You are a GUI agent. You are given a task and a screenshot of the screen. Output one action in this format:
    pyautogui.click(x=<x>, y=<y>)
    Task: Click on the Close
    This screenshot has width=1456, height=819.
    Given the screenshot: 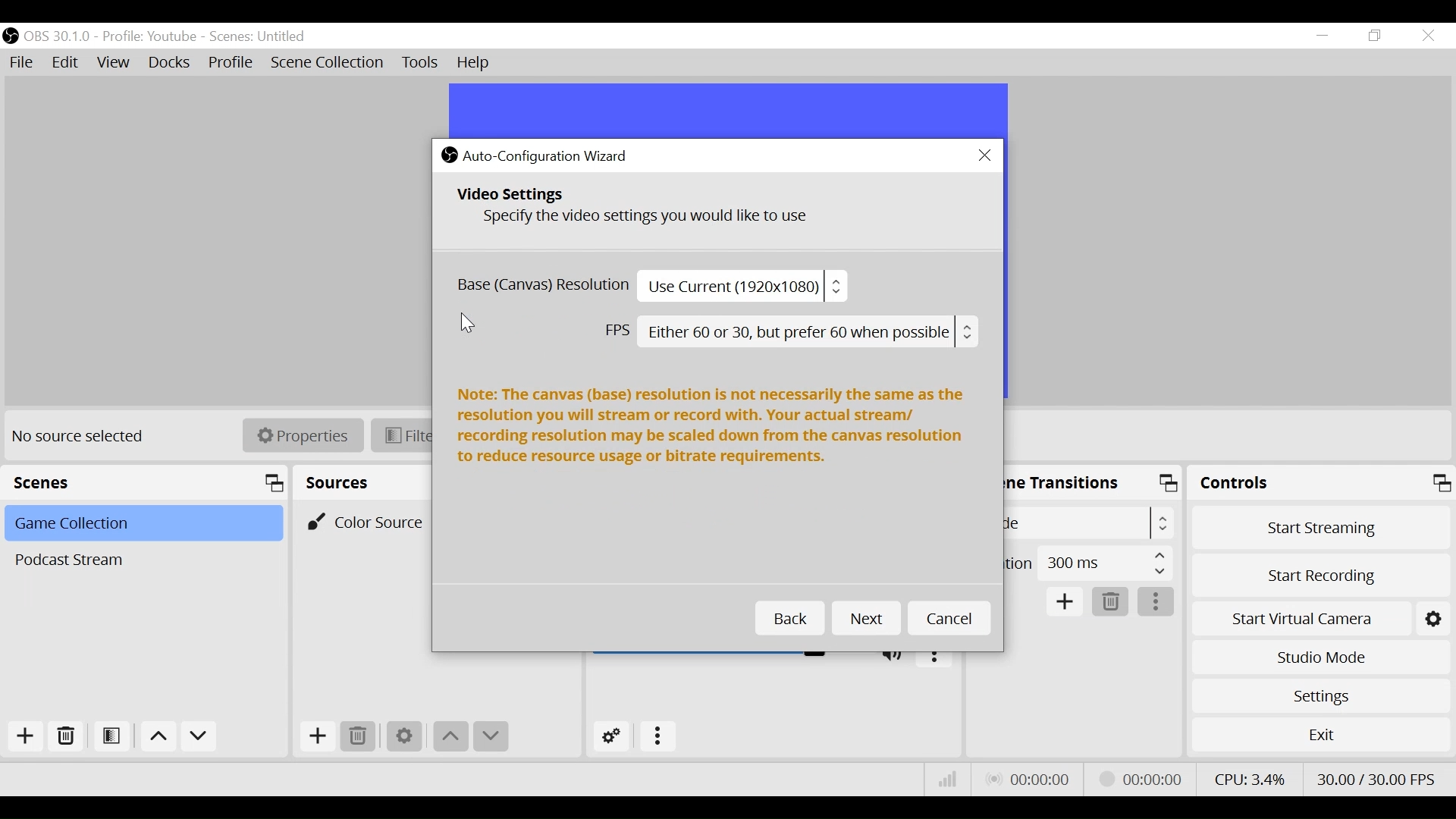 What is the action you would take?
    pyautogui.click(x=1429, y=36)
    